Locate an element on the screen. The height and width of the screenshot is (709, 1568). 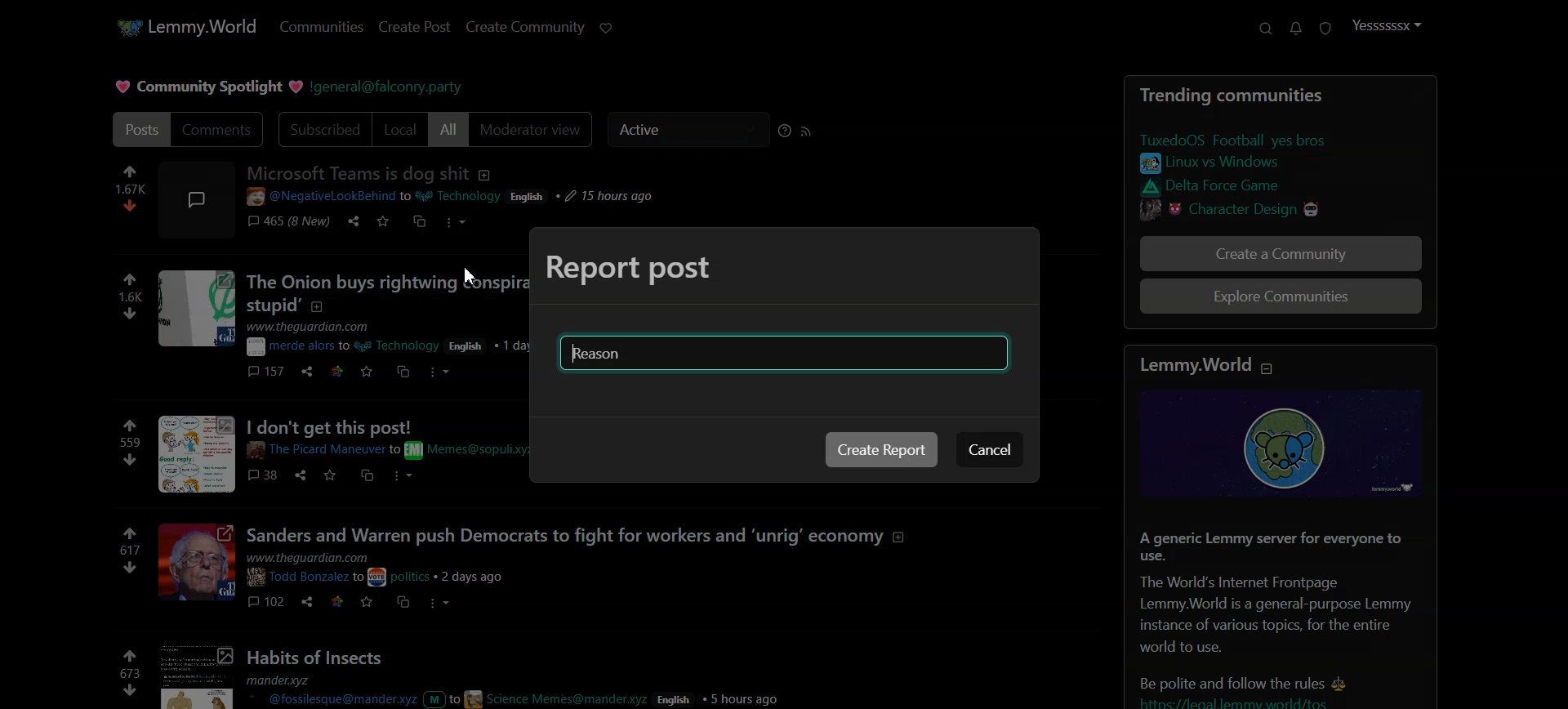
Sorting Help  is located at coordinates (784, 130).